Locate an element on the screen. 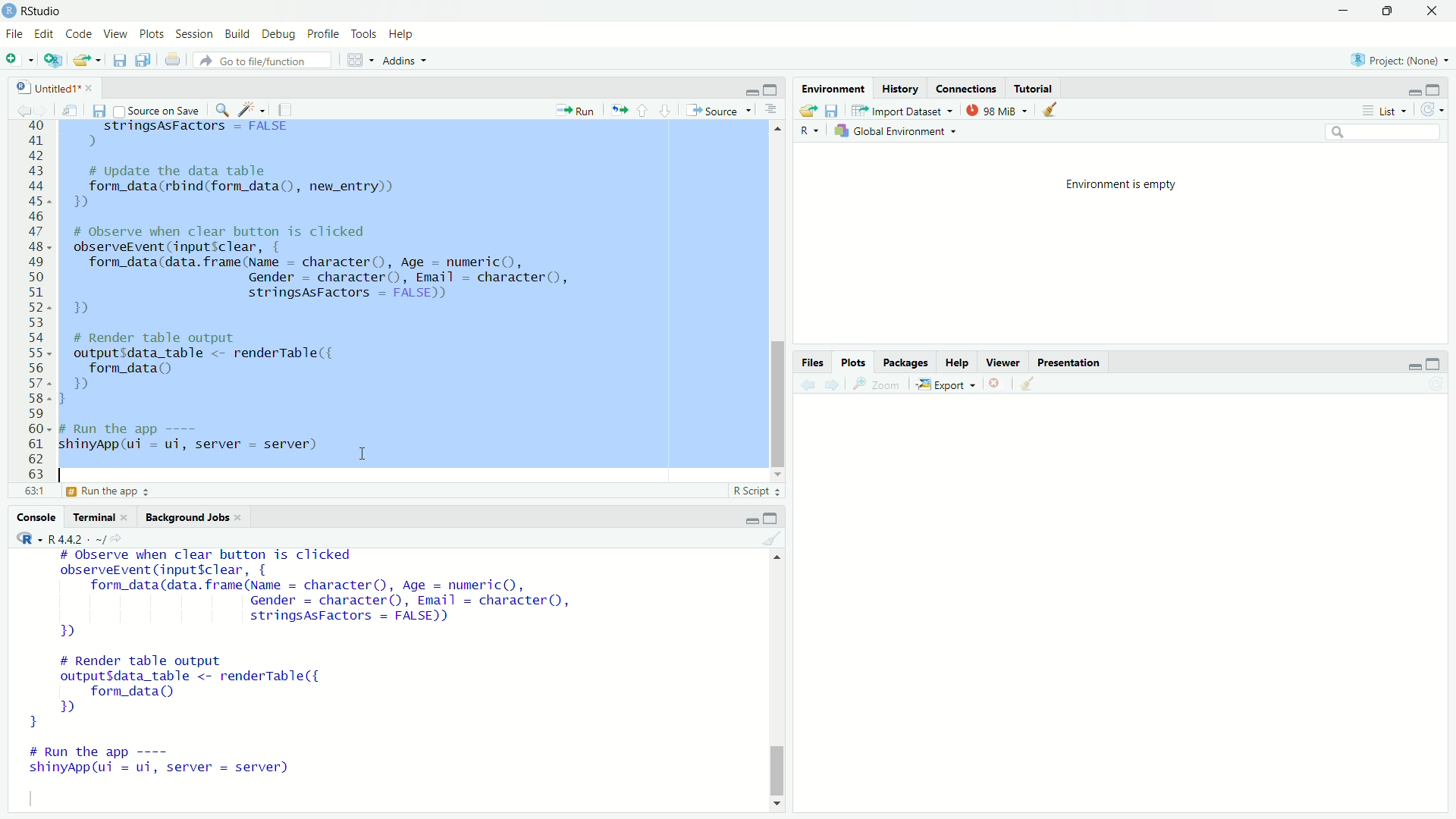 The height and width of the screenshot is (819, 1456). Tools is located at coordinates (364, 33).